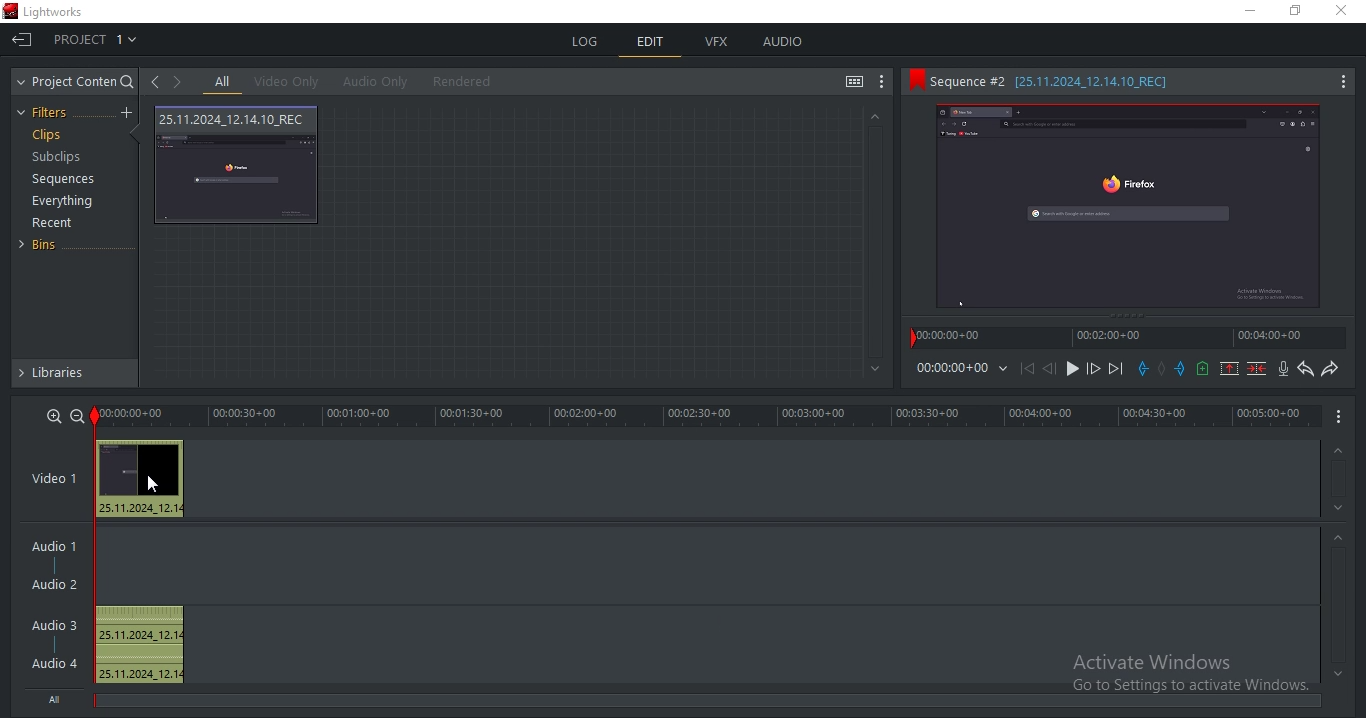 This screenshot has width=1366, height=718. I want to click on delete the marked section, so click(1257, 368).